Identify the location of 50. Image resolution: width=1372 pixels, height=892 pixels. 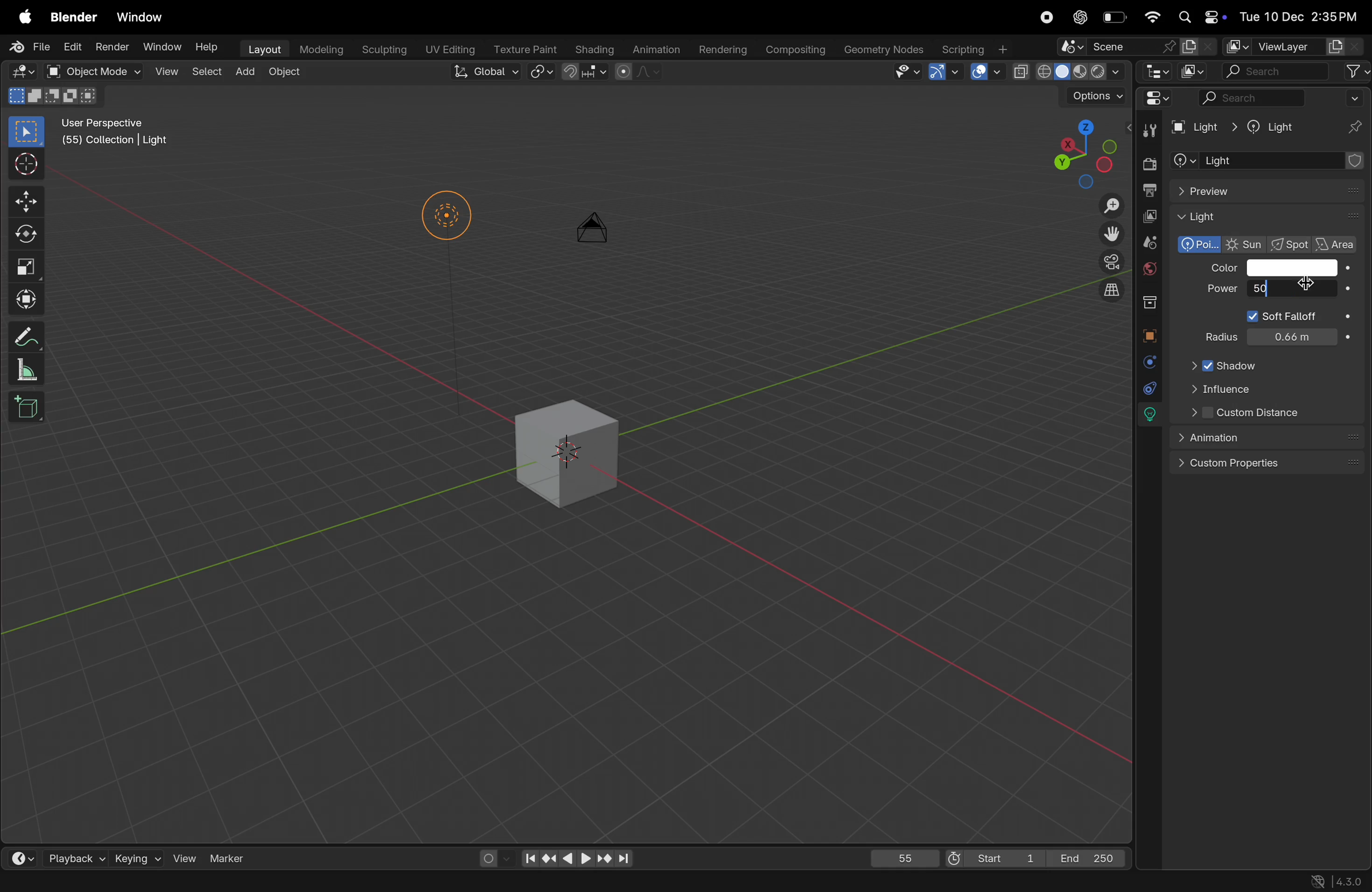
(1265, 288).